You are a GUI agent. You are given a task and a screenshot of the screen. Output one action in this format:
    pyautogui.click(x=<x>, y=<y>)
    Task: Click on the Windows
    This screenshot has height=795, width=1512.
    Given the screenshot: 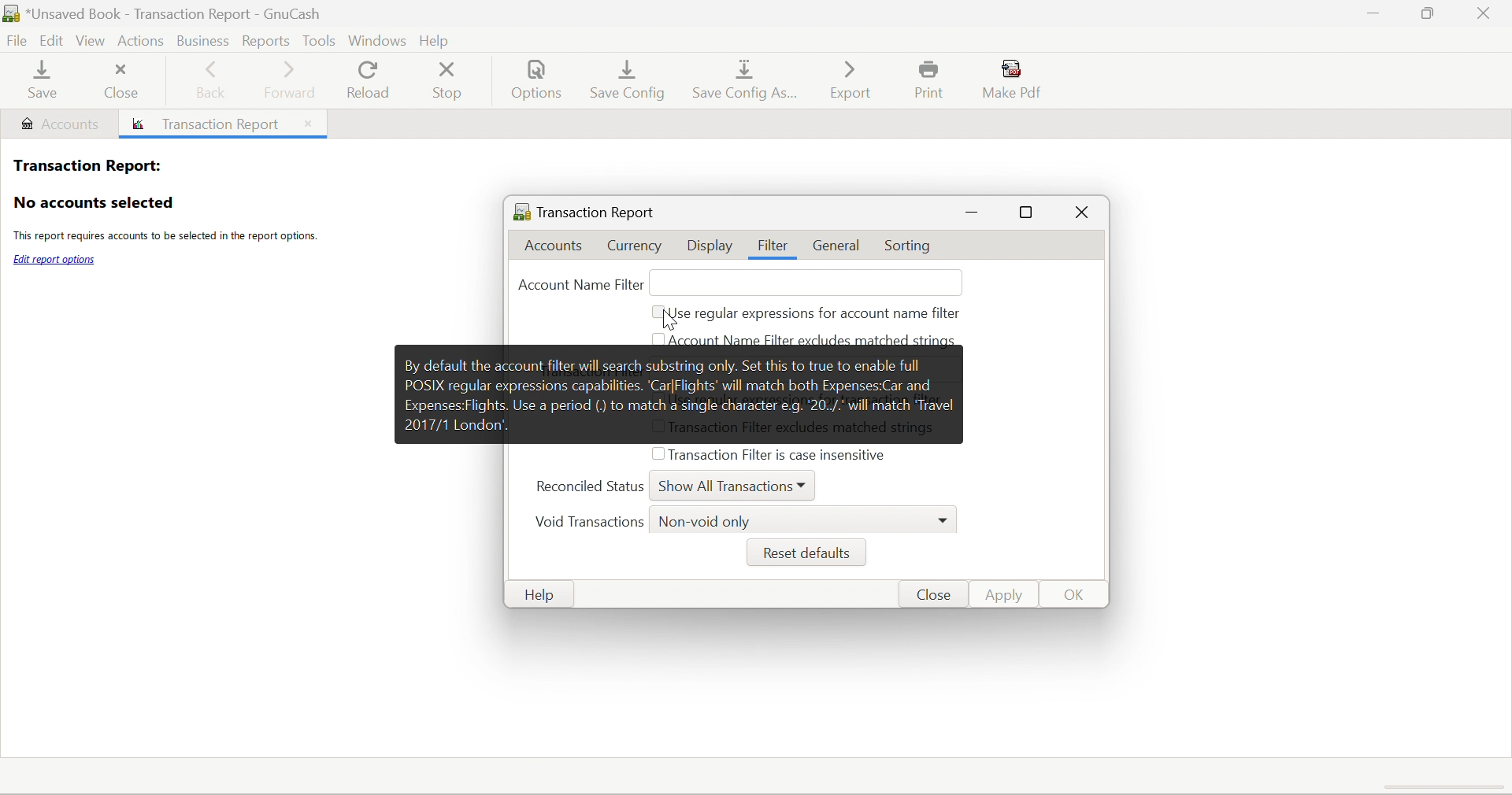 What is the action you would take?
    pyautogui.click(x=376, y=39)
    